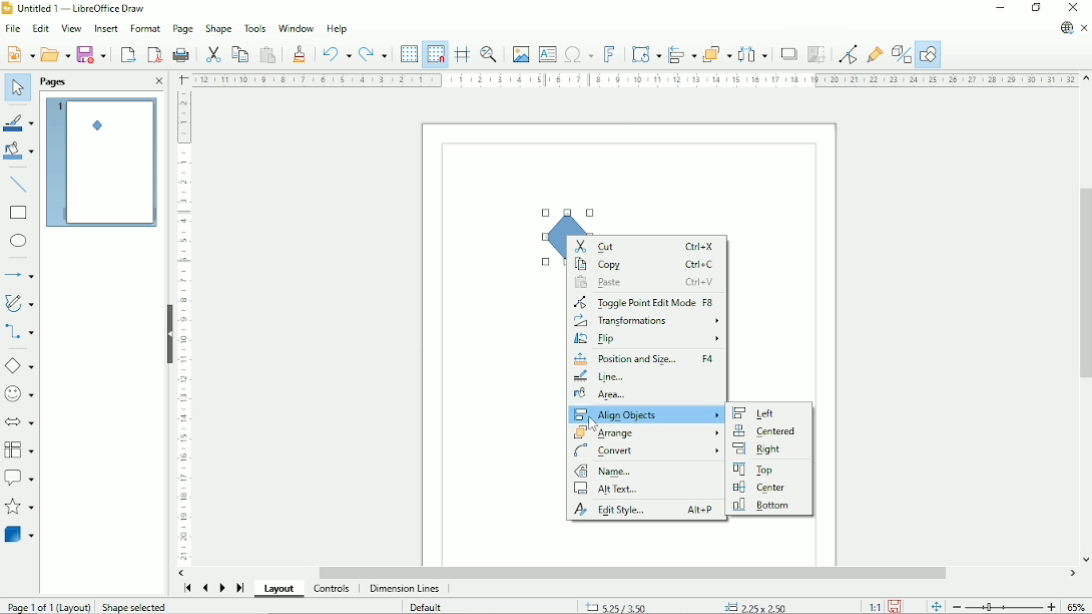 This screenshot has height=614, width=1092. I want to click on Insert, so click(107, 28).